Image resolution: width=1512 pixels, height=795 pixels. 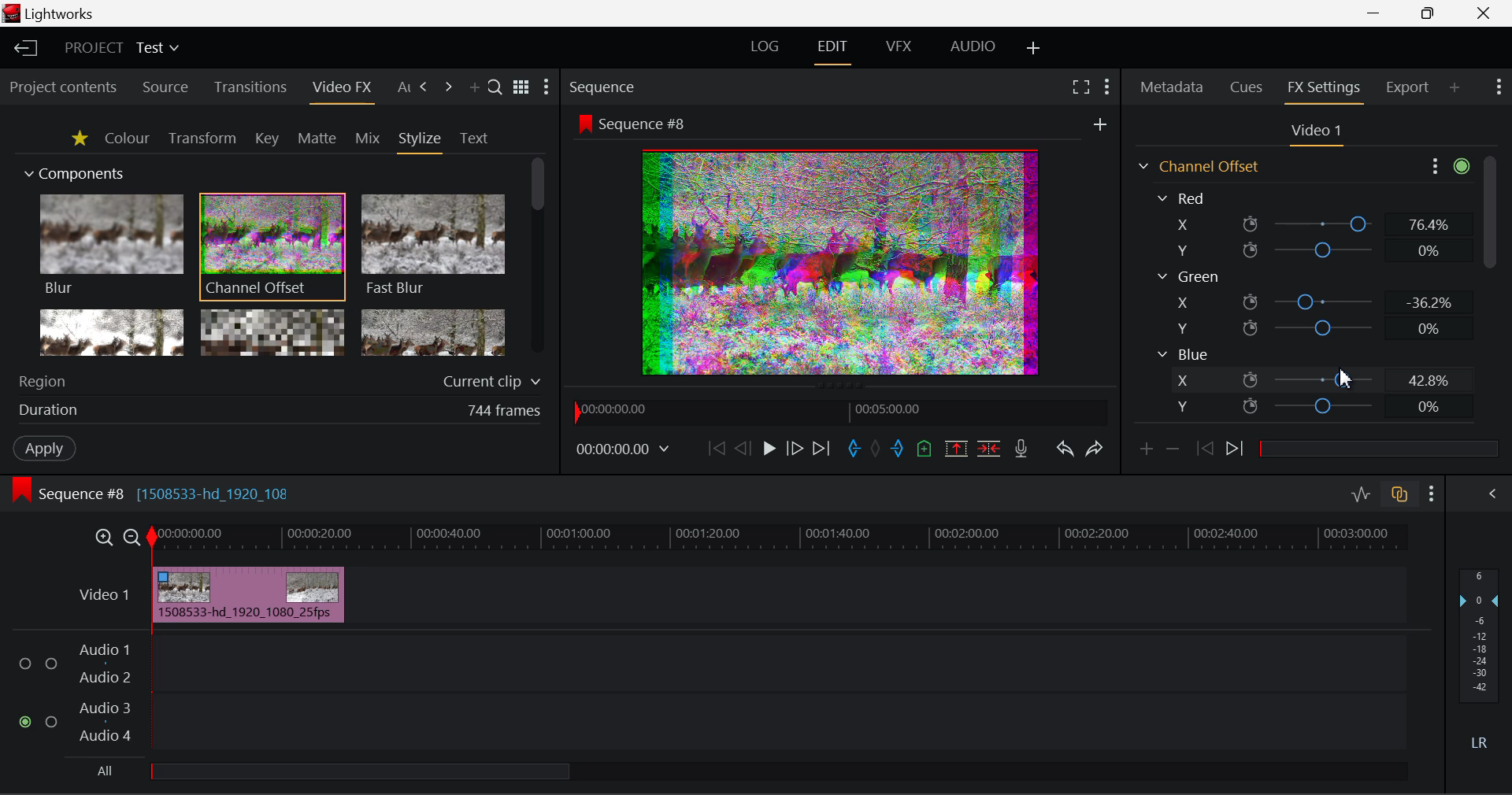 What do you see at coordinates (79, 140) in the screenshot?
I see `Favorites` at bounding box center [79, 140].